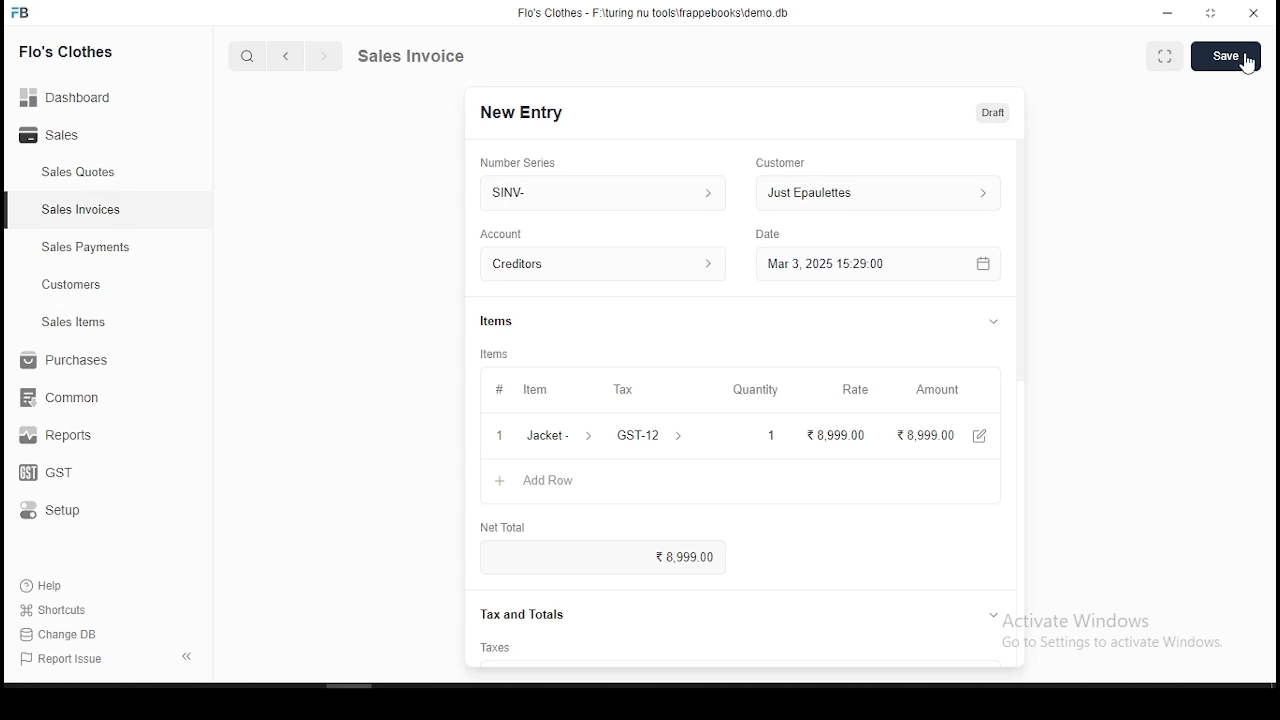 This screenshot has width=1280, height=720. What do you see at coordinates (514, 615) in the screenshot?
I see `Tax and Totals` at bounding box center [514, 615].